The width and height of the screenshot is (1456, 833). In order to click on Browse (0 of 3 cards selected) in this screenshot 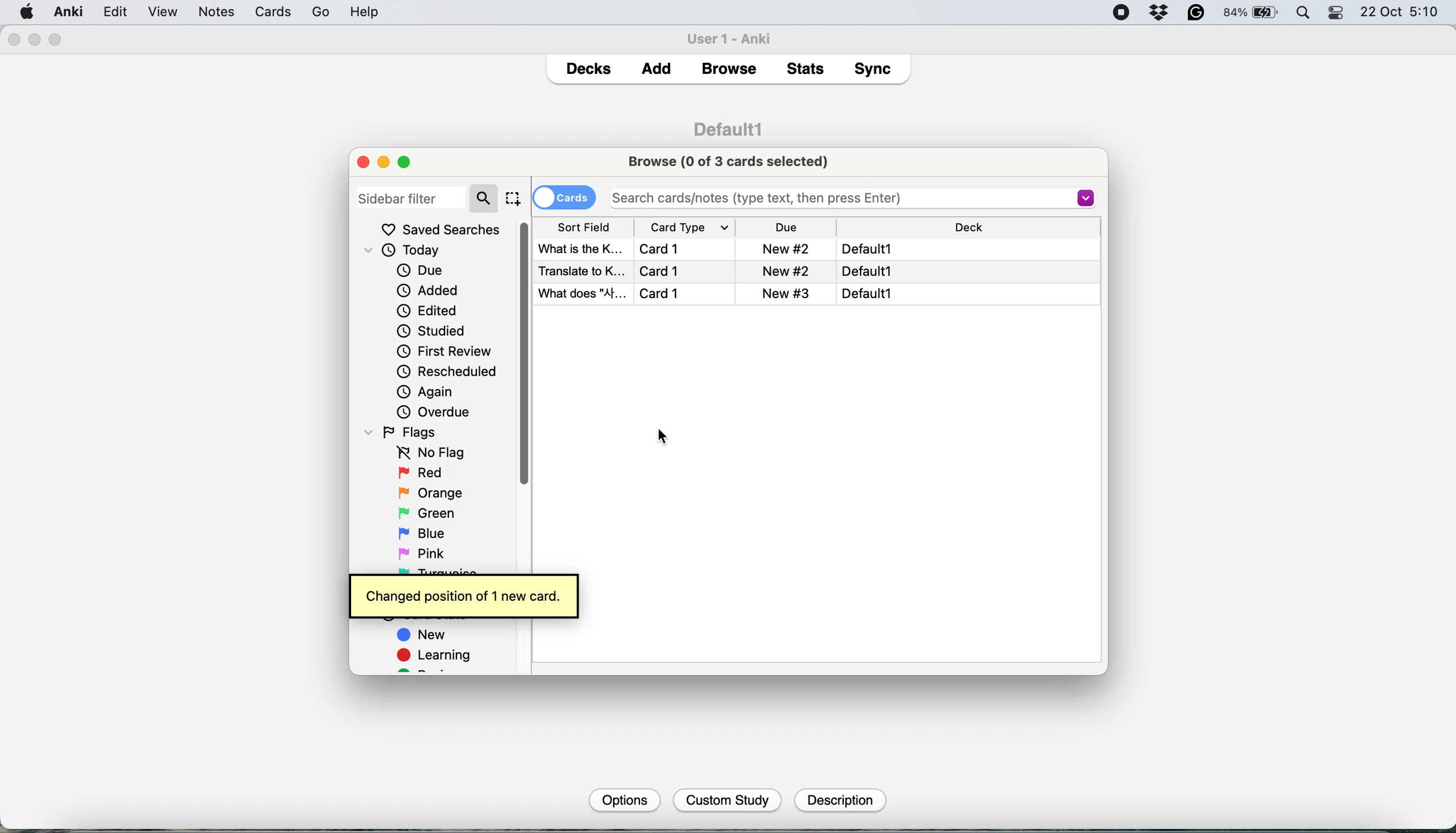, I will do `click(732, 160)`.